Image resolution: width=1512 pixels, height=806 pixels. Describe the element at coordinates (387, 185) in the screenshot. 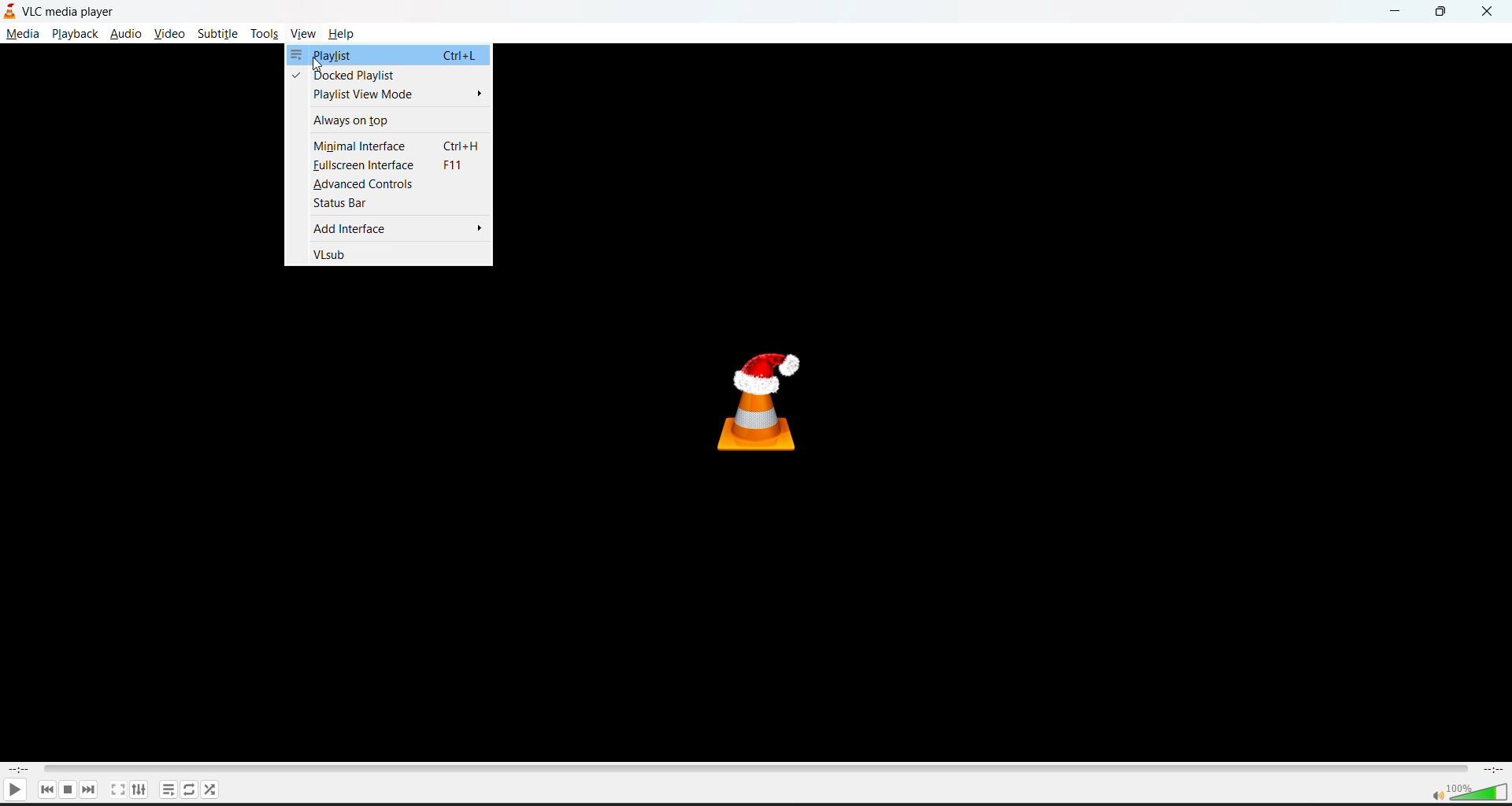

I see `advanced controls` at that location.